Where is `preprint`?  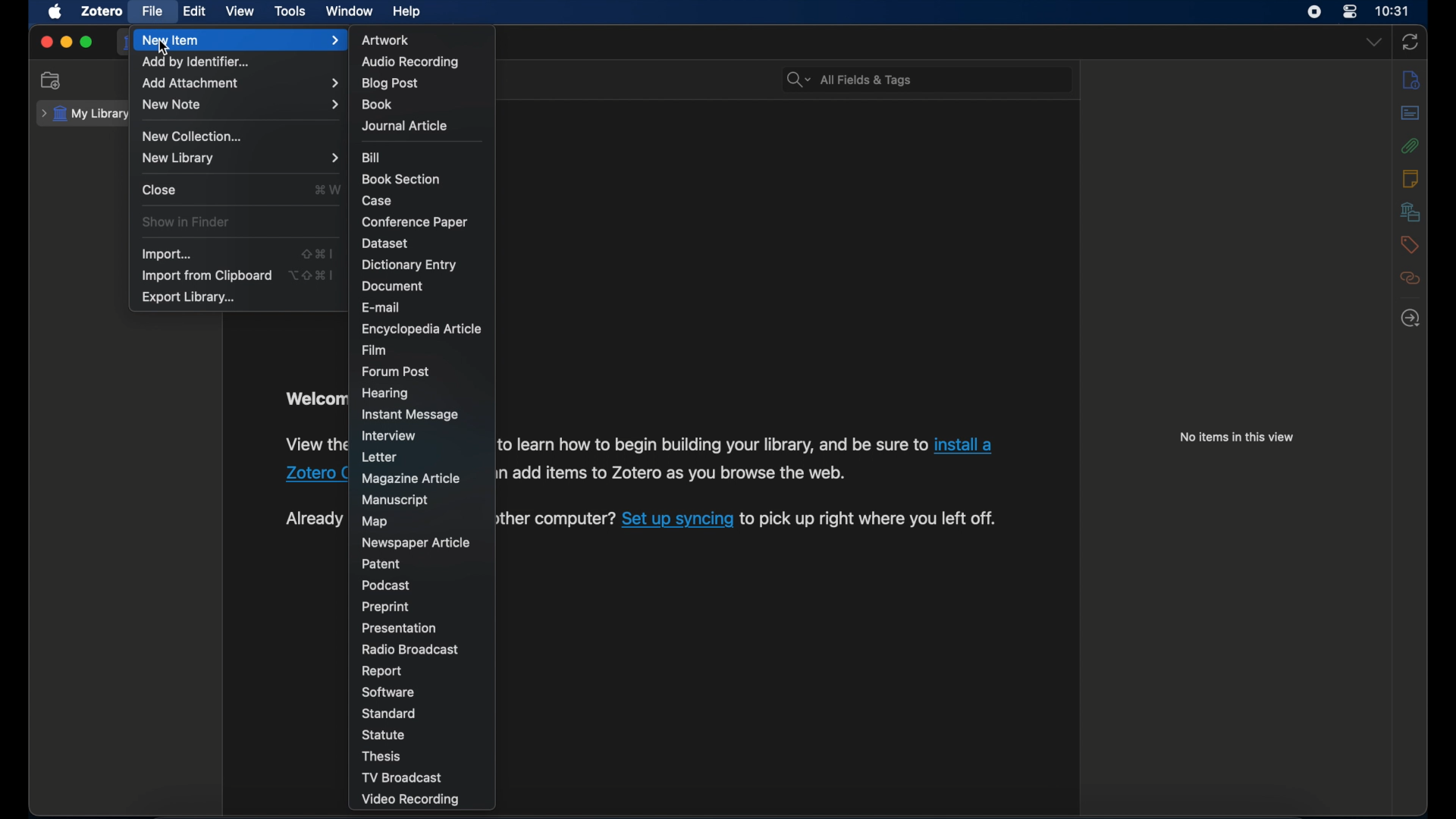
preprint is located at coordinates (385, 607).